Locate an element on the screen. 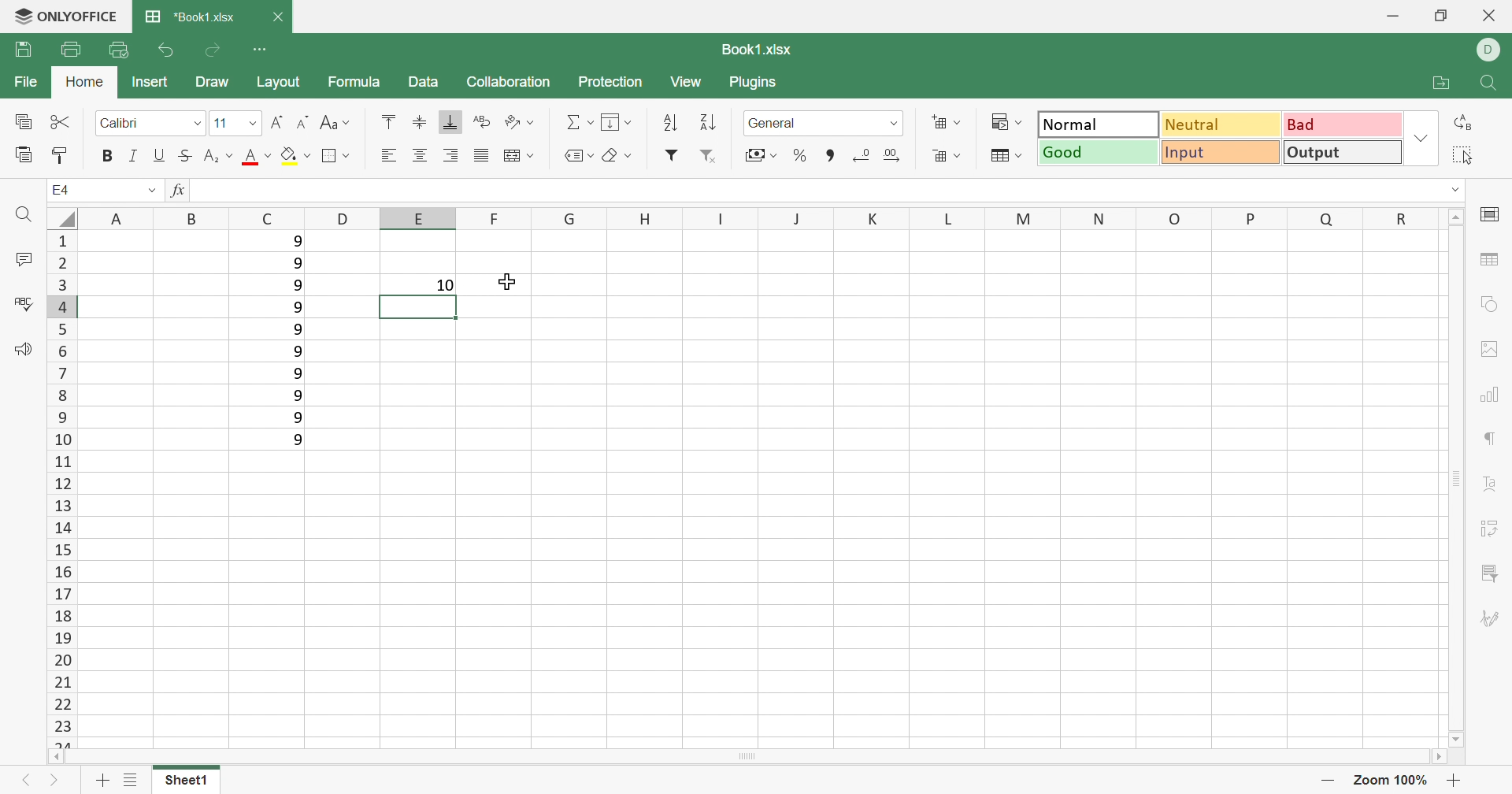 The height and width of the screenshot is (794, 1512). cell settings is located at coordinates (1491, 217).